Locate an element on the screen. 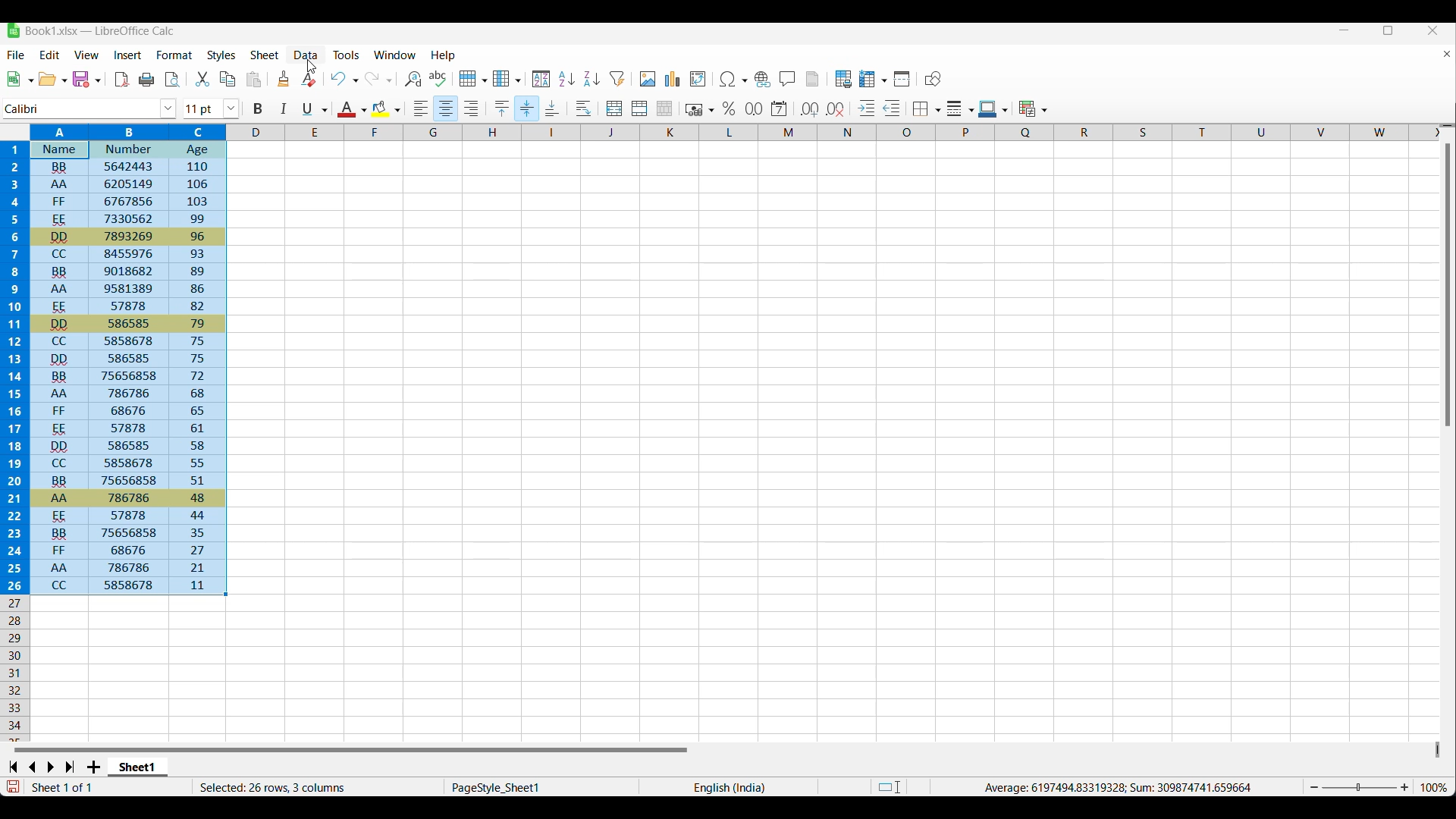 The height and width of the screenshot is (819, 1456). Wrap text is located at coordinates (584, 108).